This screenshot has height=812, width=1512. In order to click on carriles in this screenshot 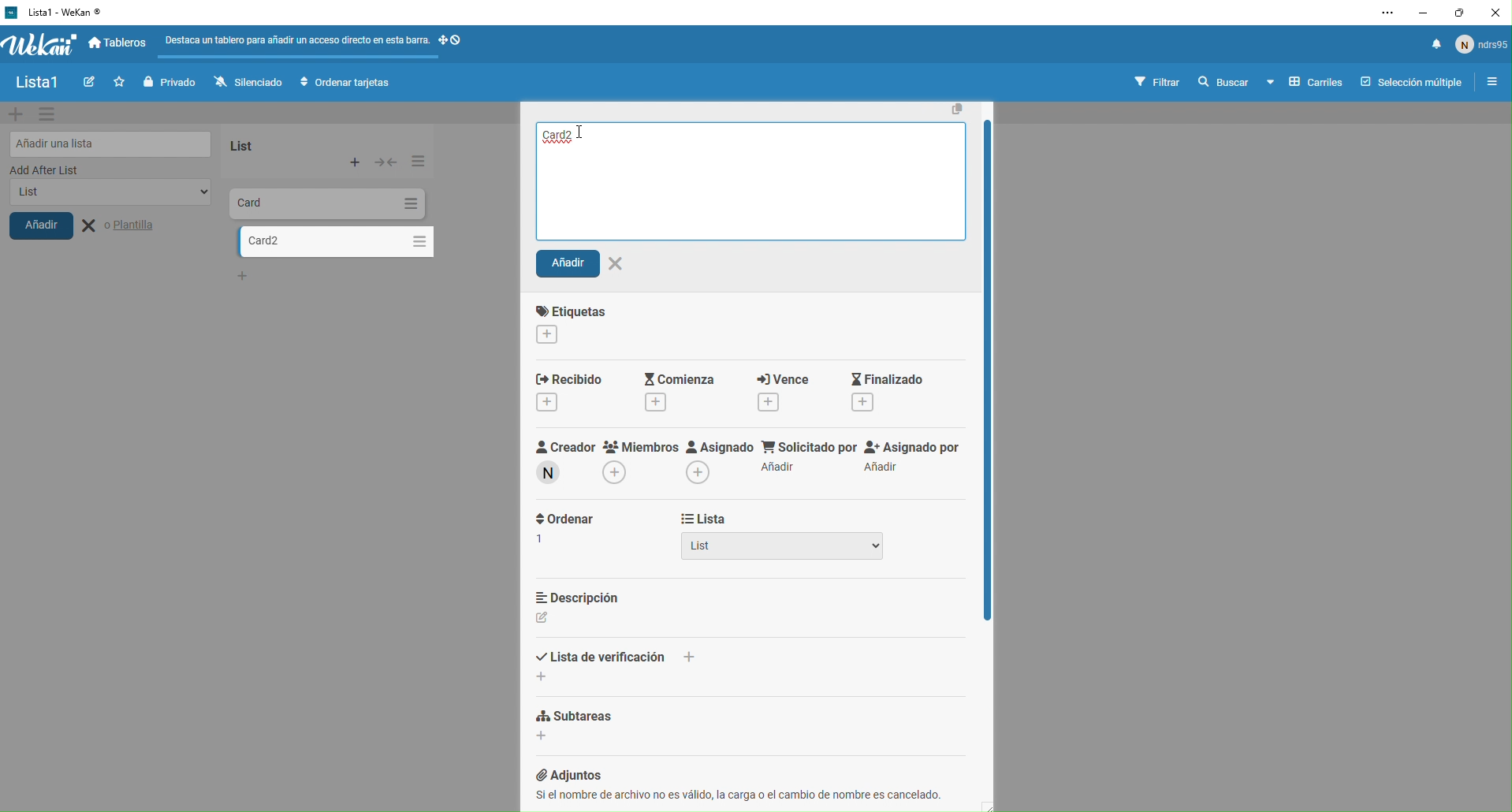, I will do `click(1305, 83)`.